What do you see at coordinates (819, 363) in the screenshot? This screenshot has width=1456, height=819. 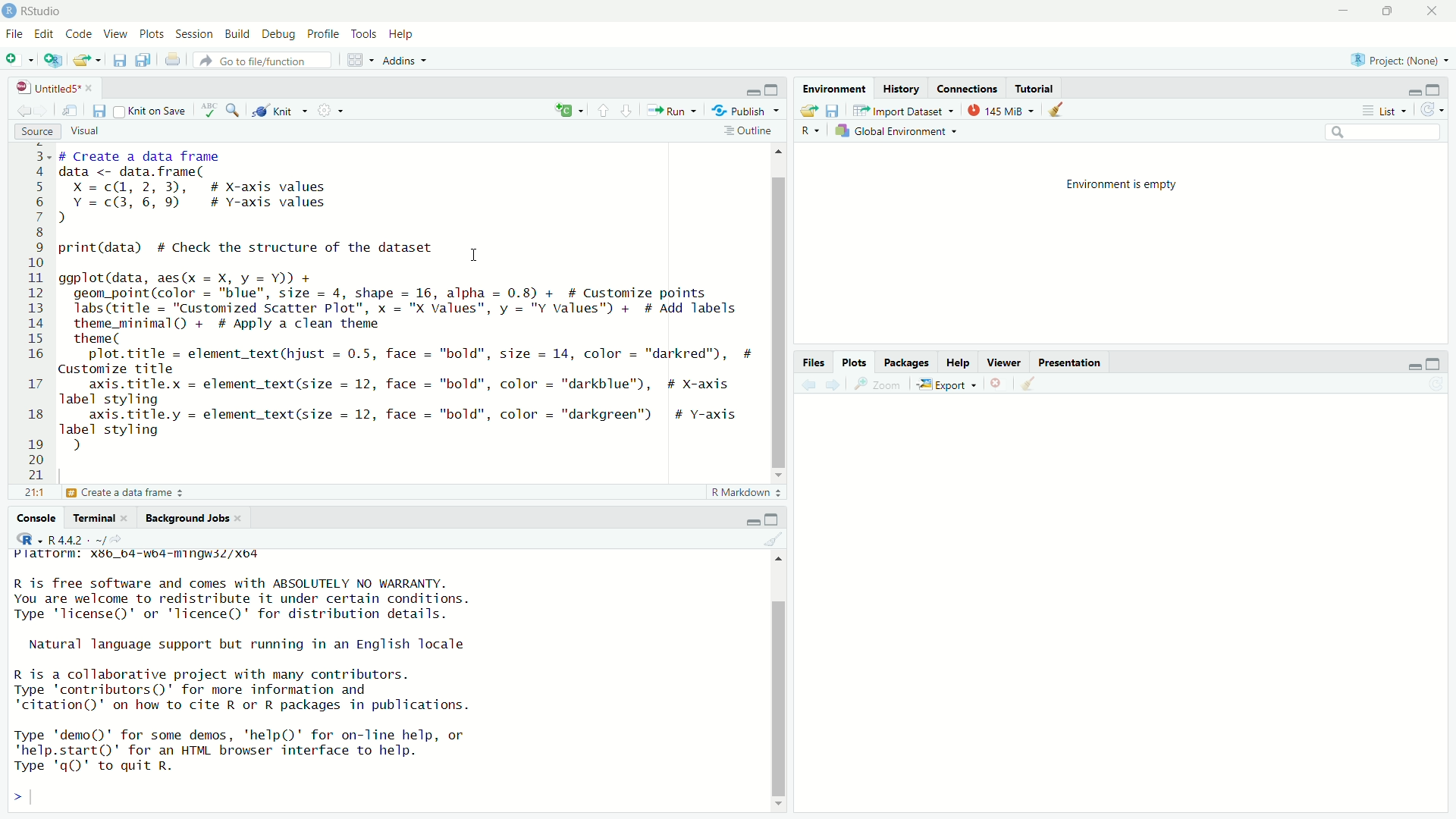 I see `Files` at bounding box center [819, 363].